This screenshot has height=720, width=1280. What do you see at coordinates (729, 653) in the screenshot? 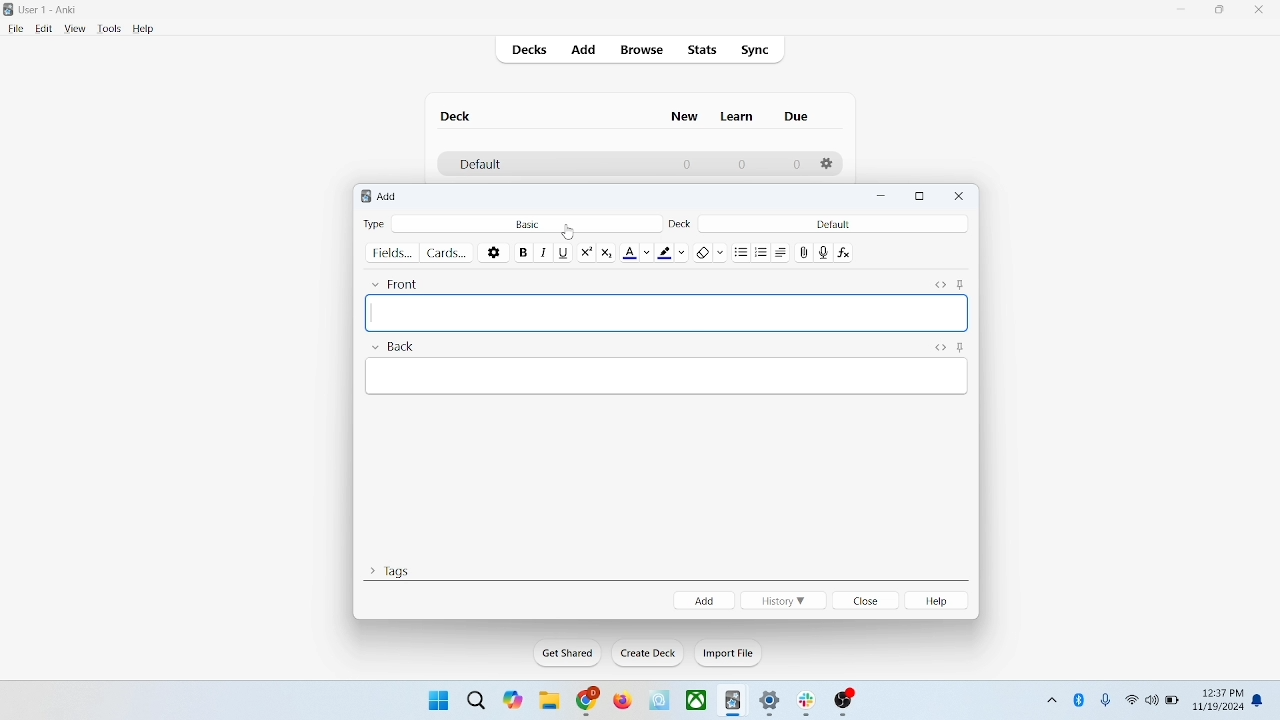
I see `import file` at bounding box center [729, 653].